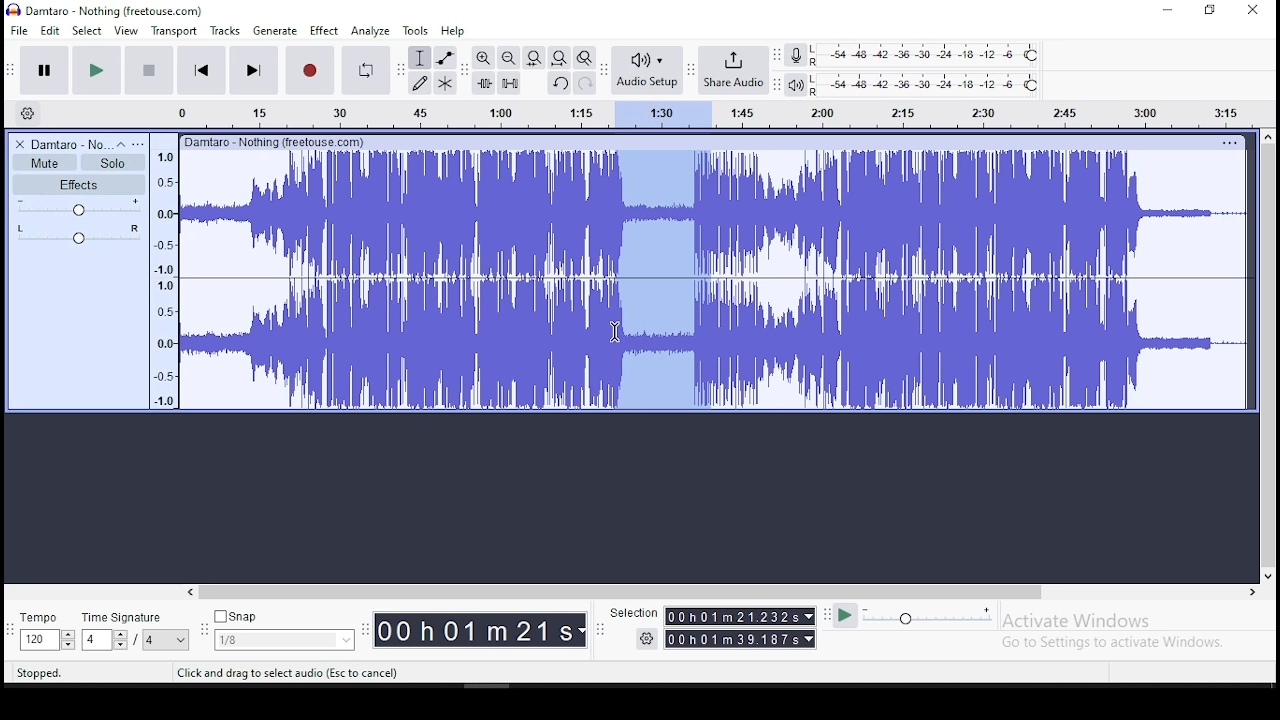 The image size is (1280, 720). What do you see at coordinates (585, 82) in the screenshot?
I see `redo` at bounding box center [585, 82].